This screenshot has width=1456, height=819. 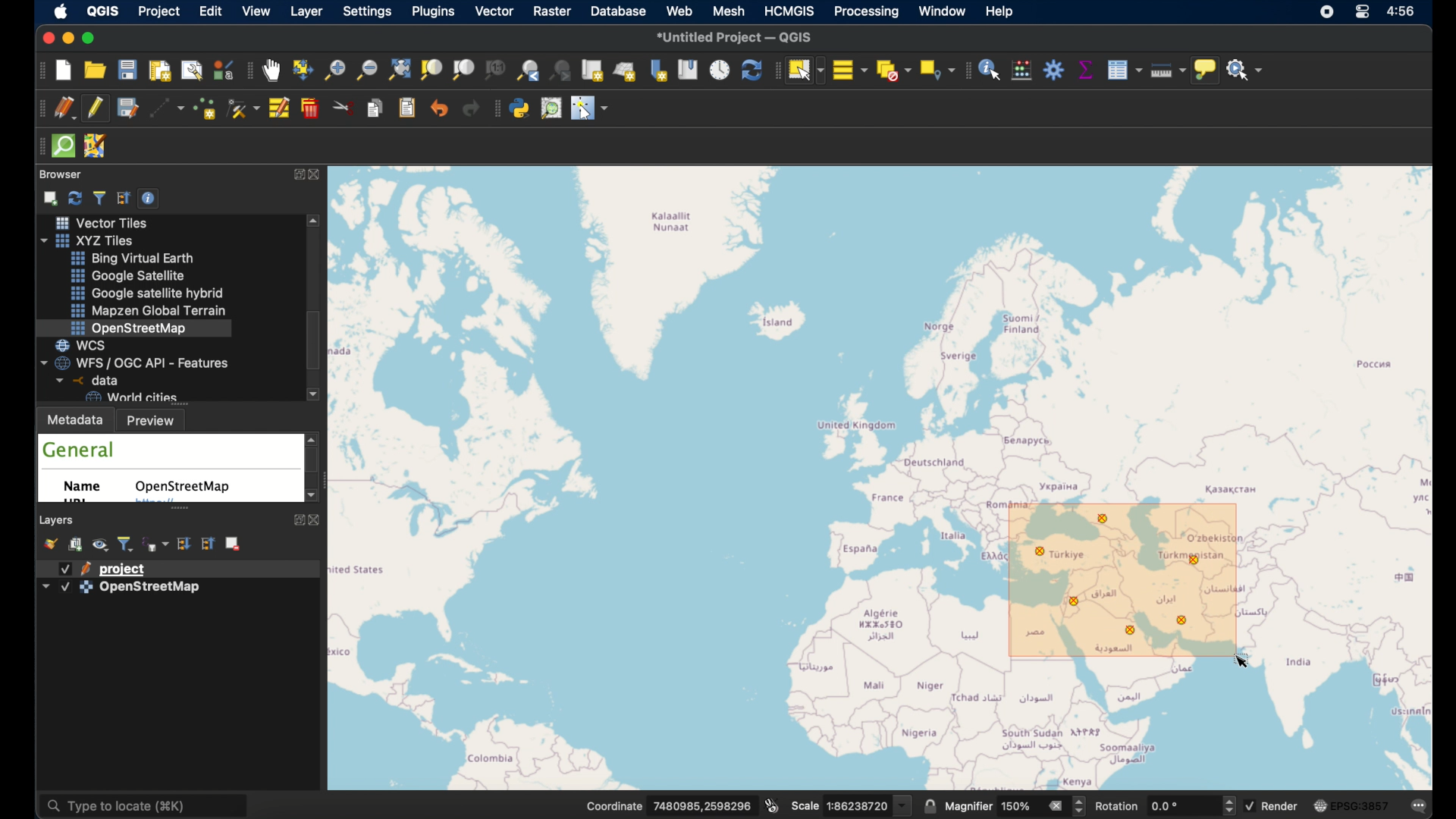 I want to click on screen recorder icon, so click(x=1327, y=13).